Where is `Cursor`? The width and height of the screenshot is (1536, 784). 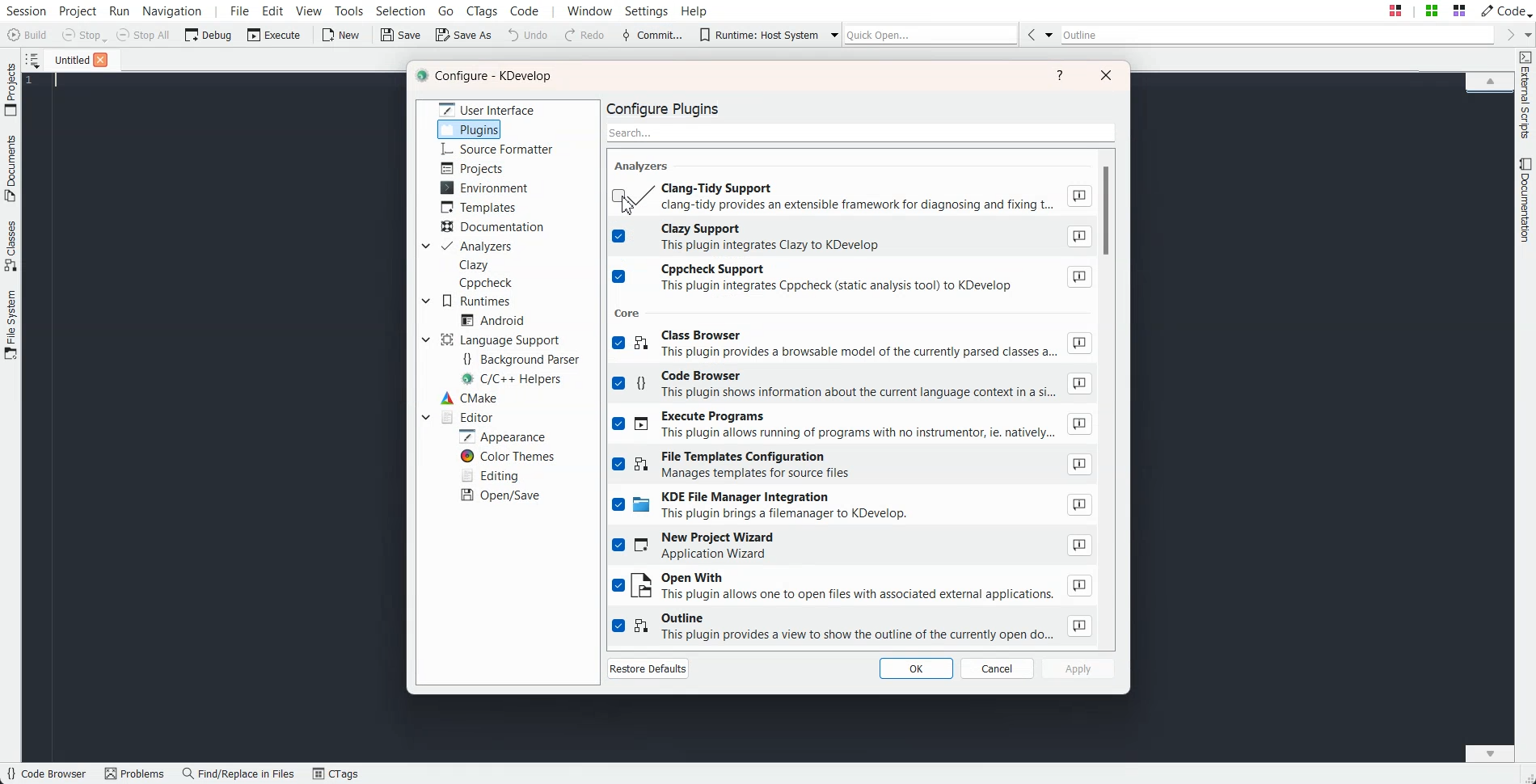
Cursor is located at coordinates (630, 204).